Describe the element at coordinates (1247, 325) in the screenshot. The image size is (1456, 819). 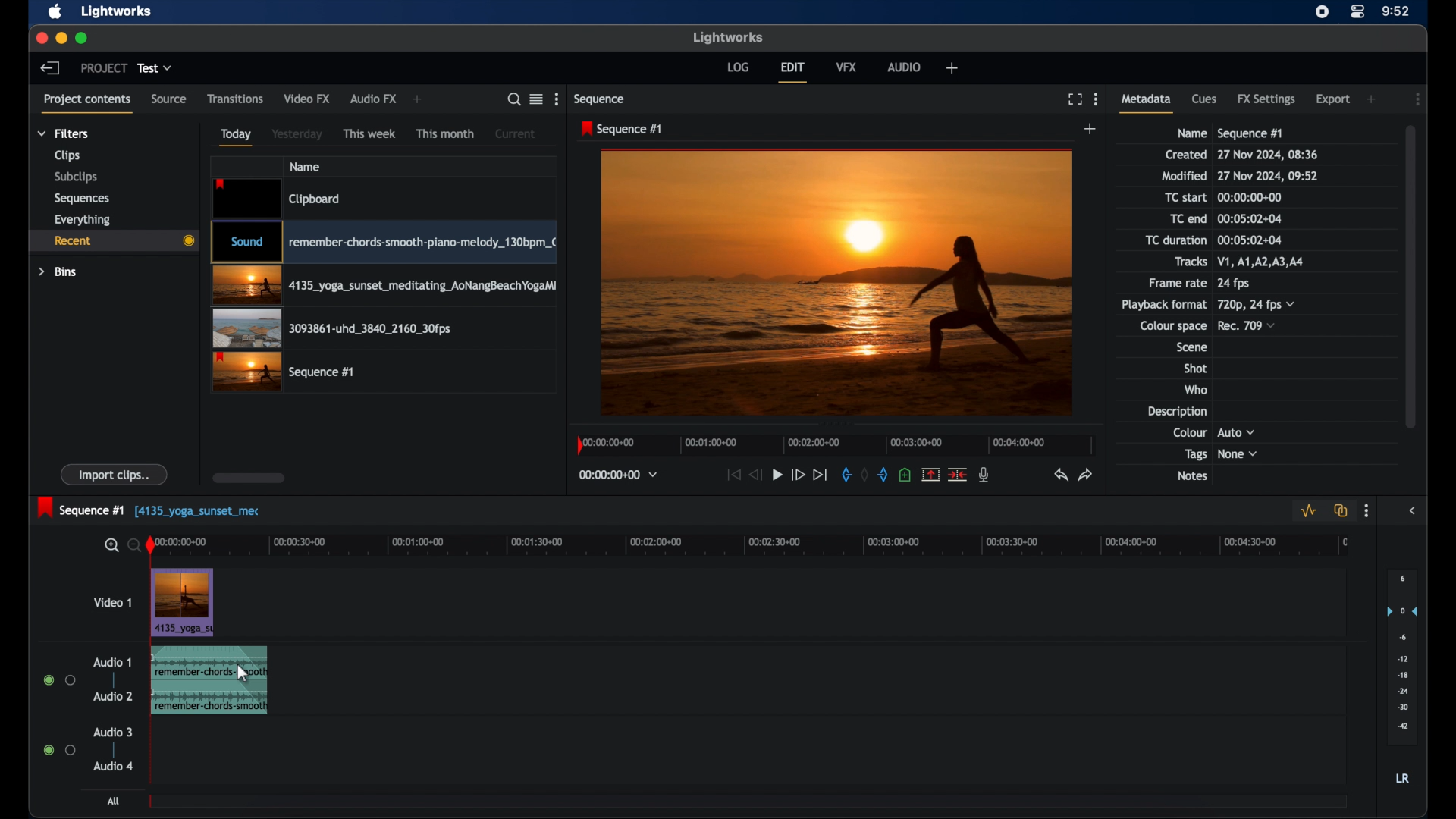
I see `rec709` at that location.